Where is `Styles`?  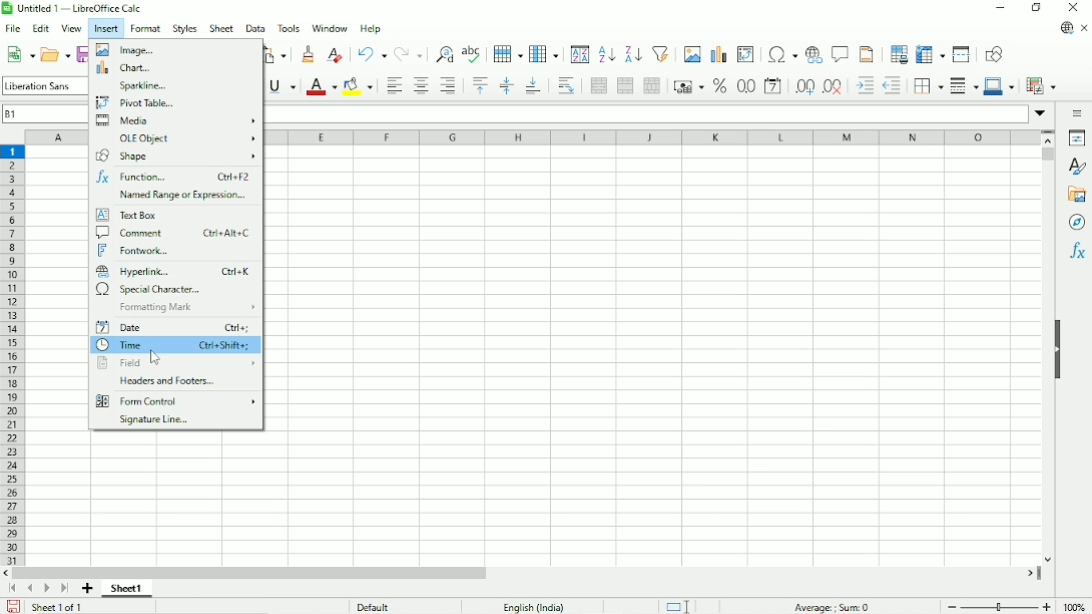
Styles is located at coordinates (1079, 165).